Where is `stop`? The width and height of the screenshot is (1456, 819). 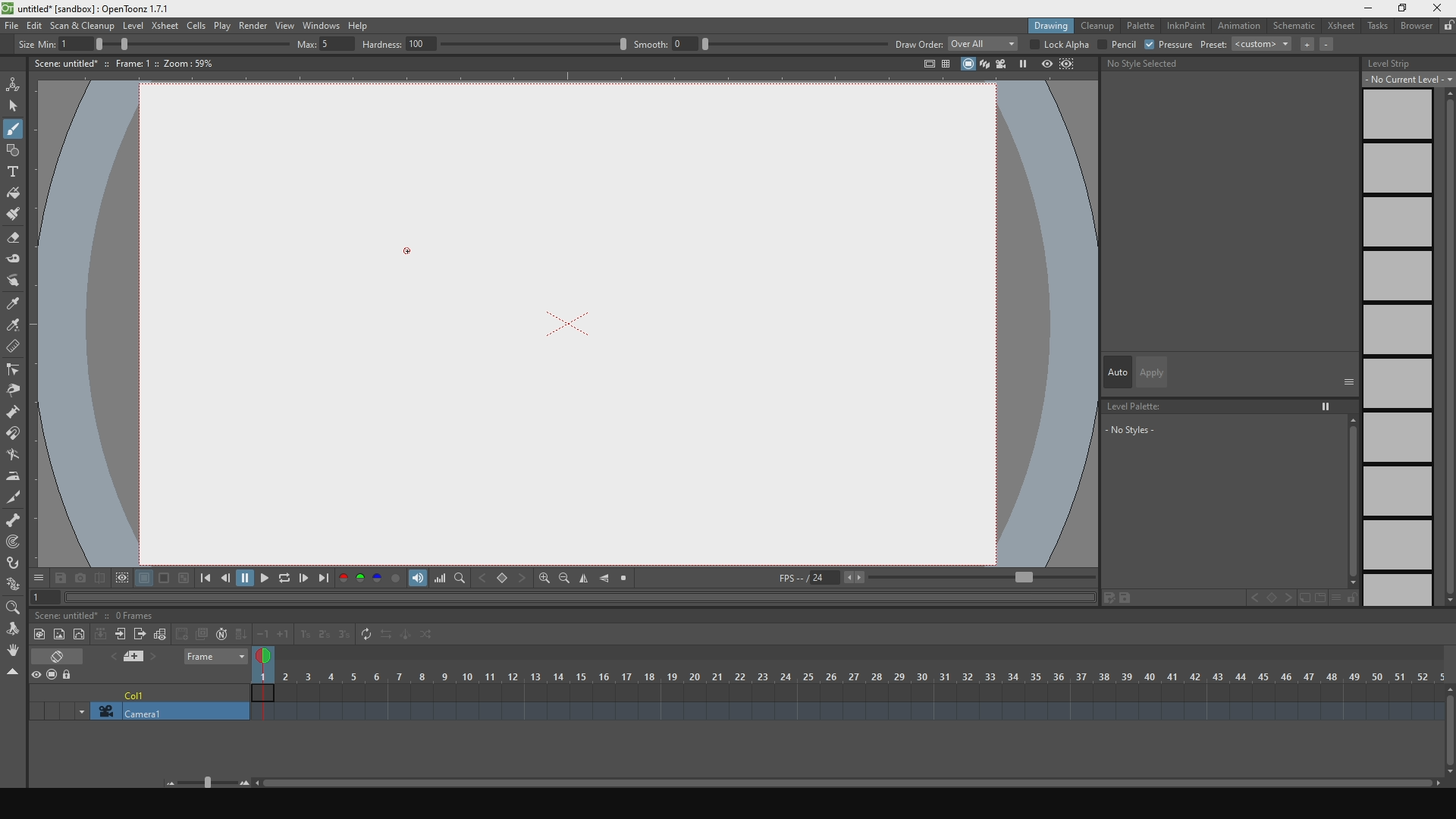 stop is located at coordinates (56, 674).